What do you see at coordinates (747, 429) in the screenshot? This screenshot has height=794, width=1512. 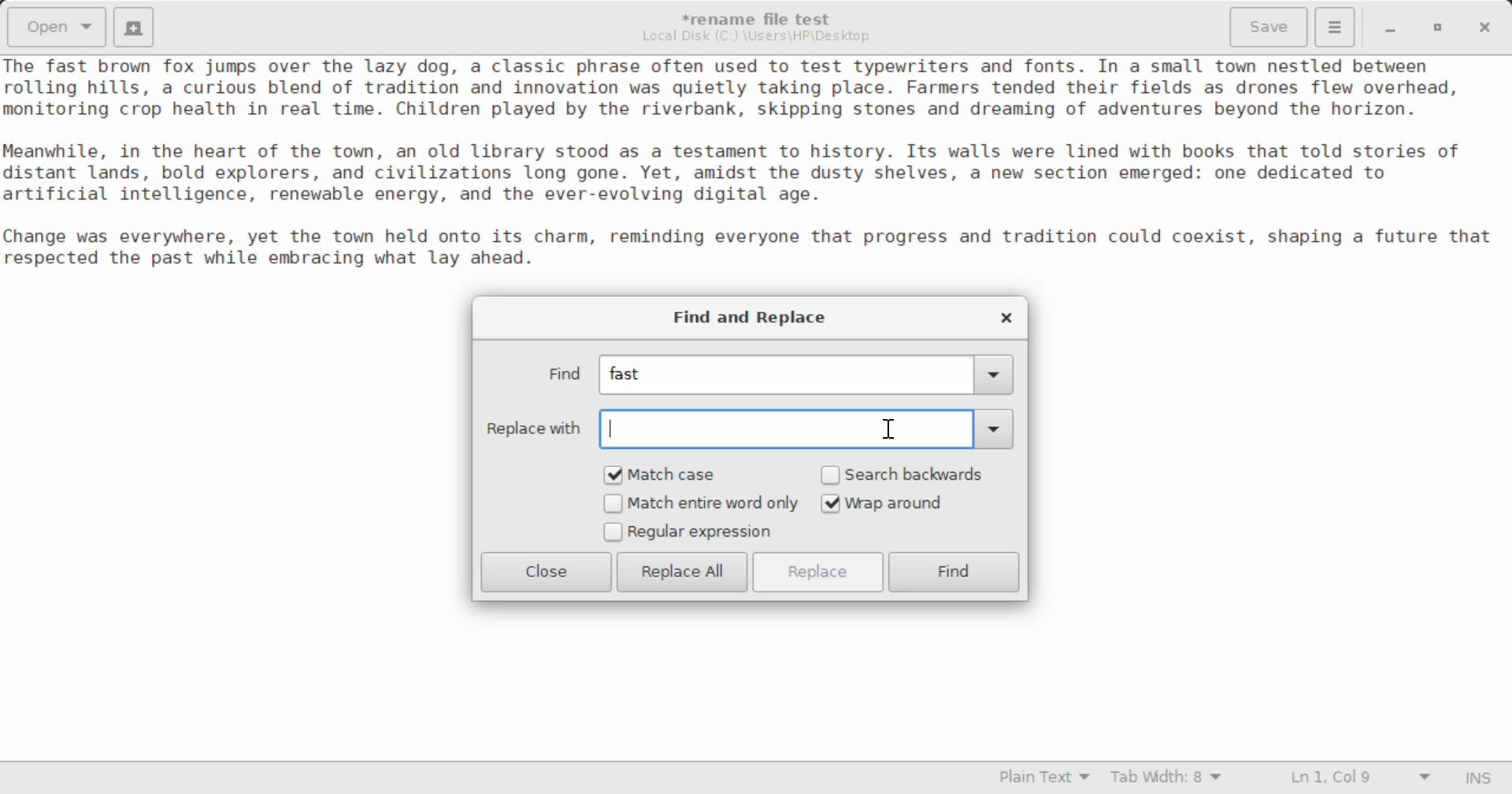 I see `Typing in Replace with` at bounding box center [747, 429].